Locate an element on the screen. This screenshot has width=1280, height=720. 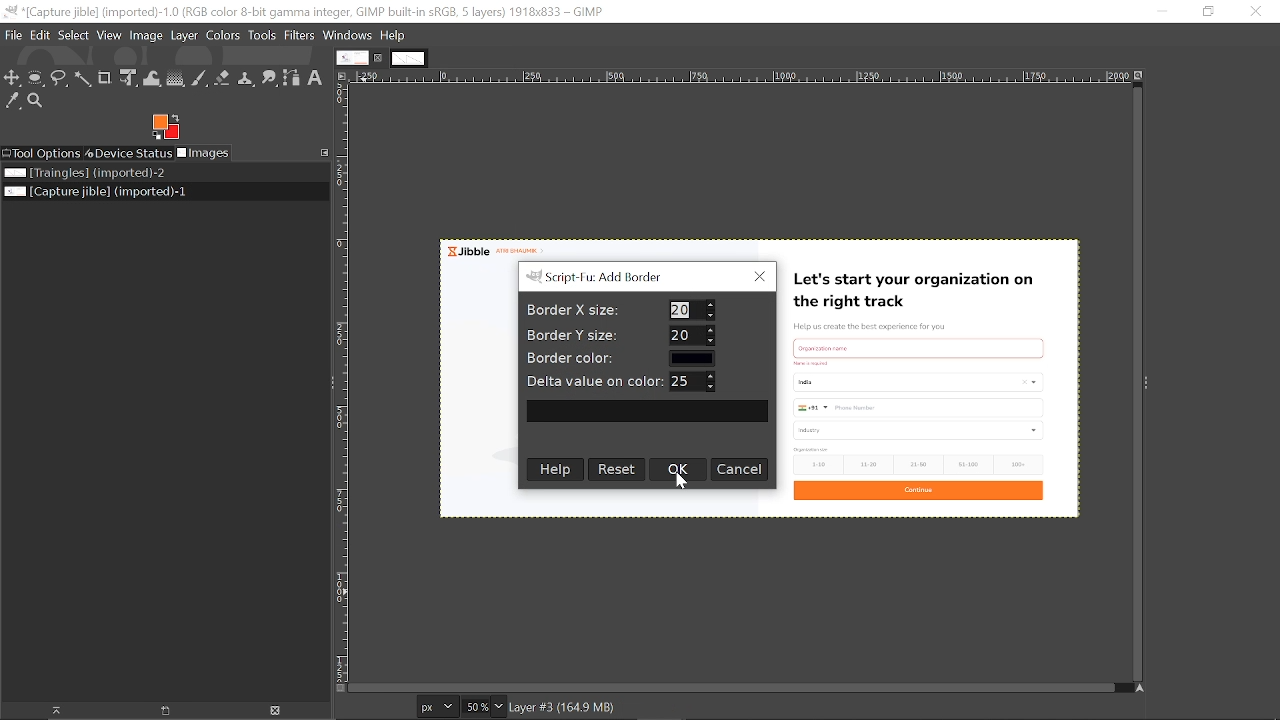
Continue is located at coordinates (921, 491).